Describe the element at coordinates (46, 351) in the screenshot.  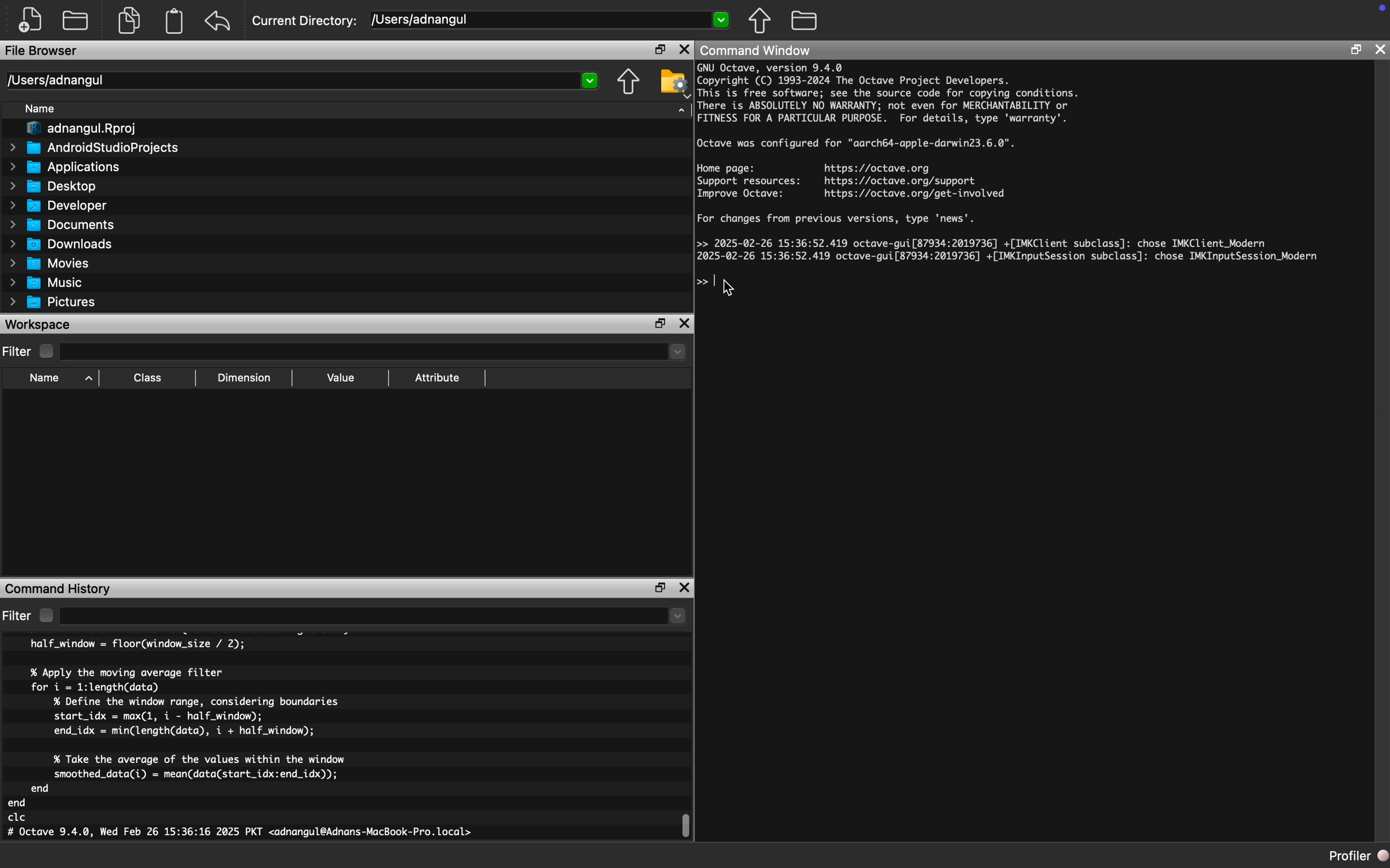
I see `Checkbox` at that location.